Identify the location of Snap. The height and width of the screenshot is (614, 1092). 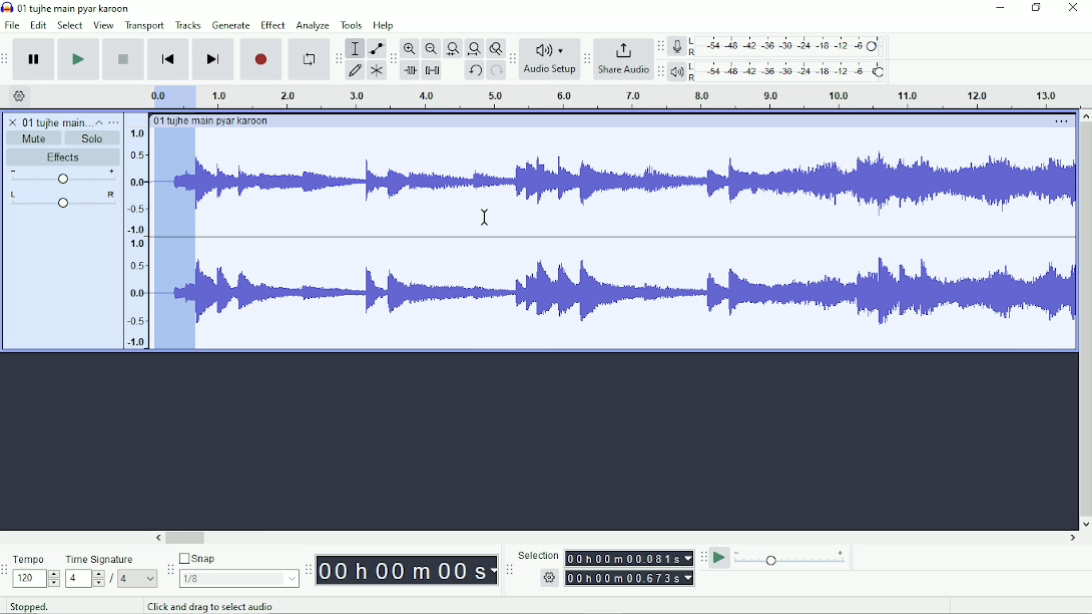
(238, 559).